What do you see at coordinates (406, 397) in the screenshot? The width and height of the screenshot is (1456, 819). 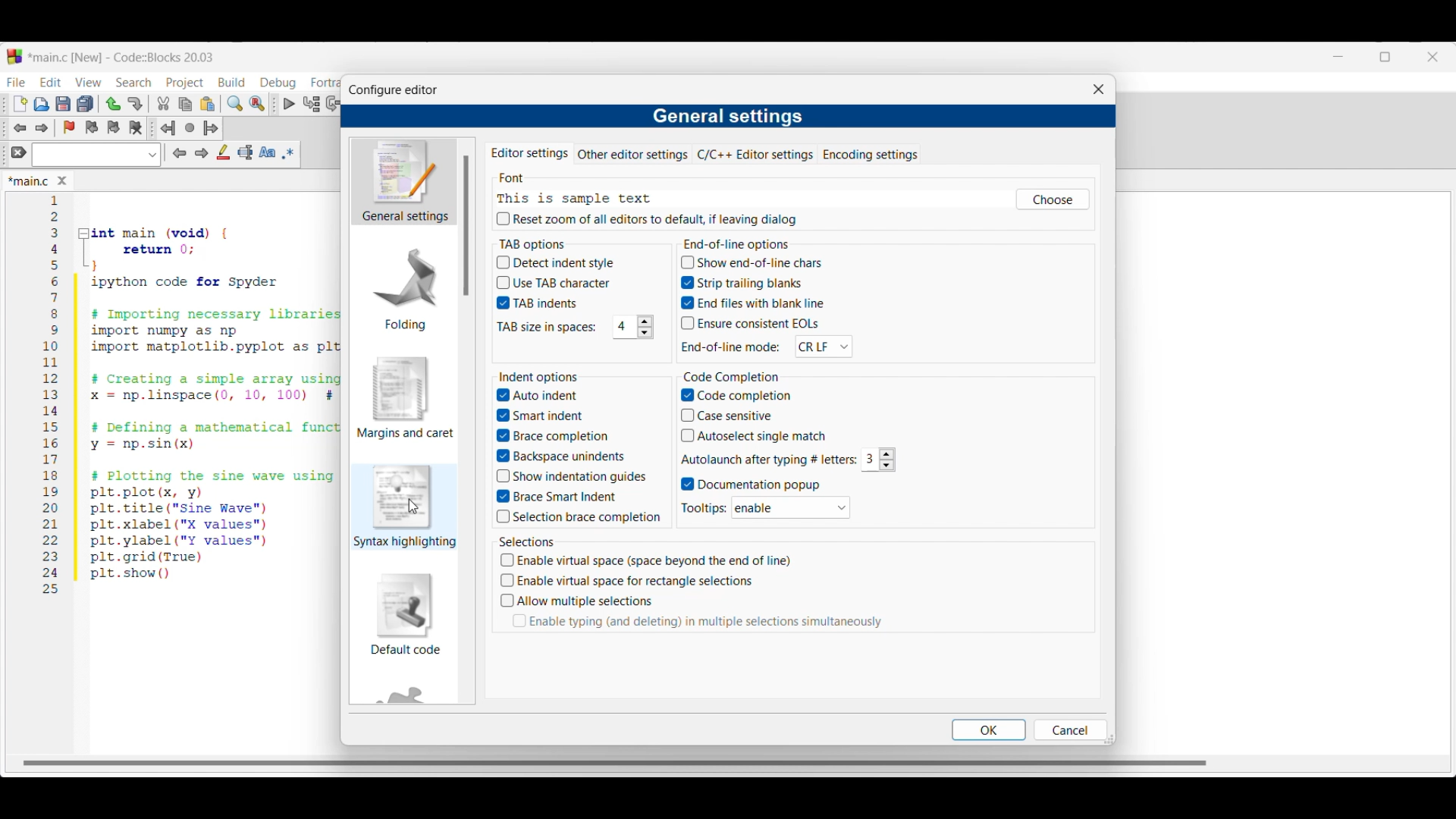 I see `Margins and caret` at bounding box center [406, 397].